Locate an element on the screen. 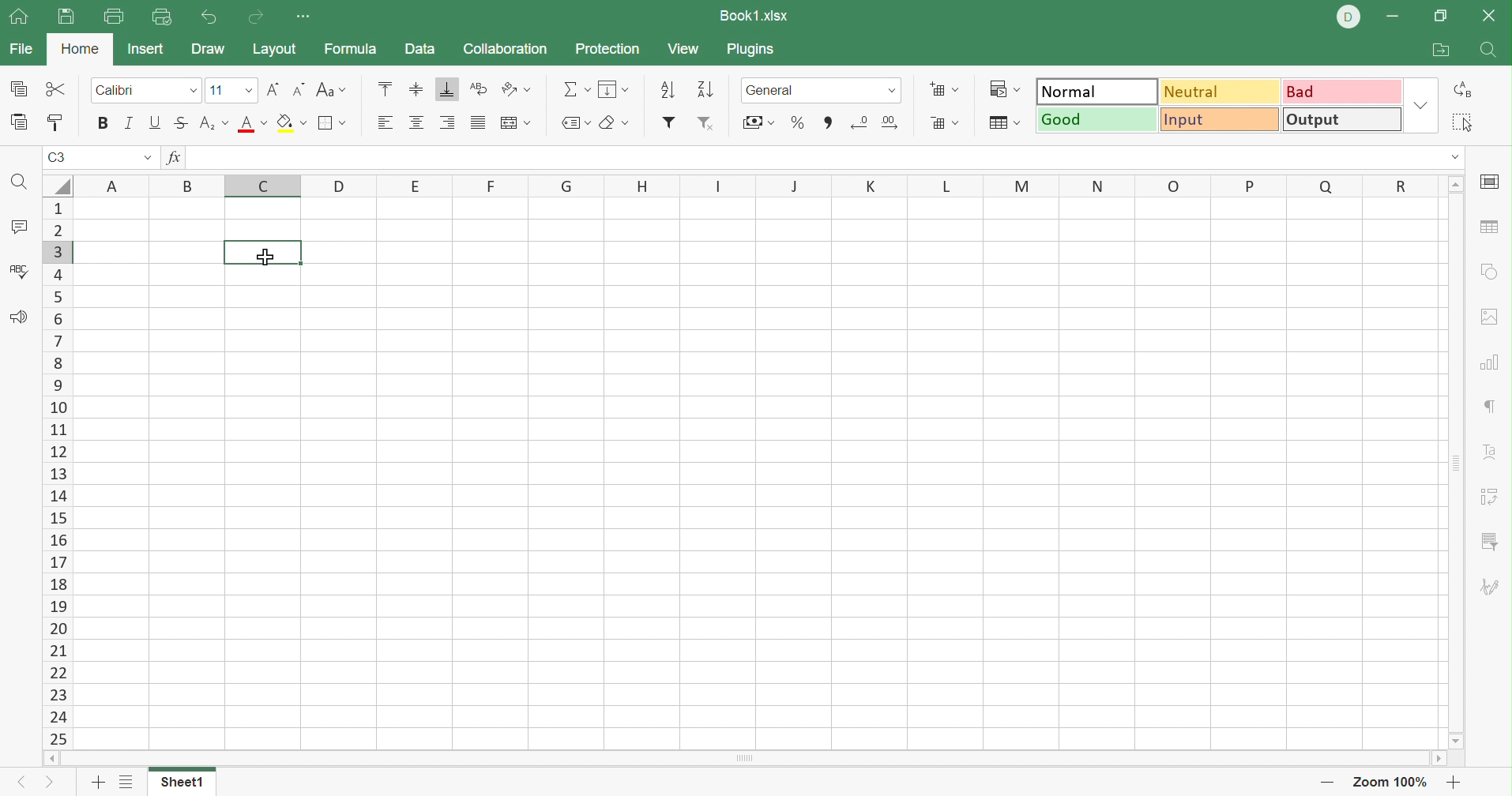 The height and width of the screenshot is (796, 1512). Formula is located at coordinates (350, 50).